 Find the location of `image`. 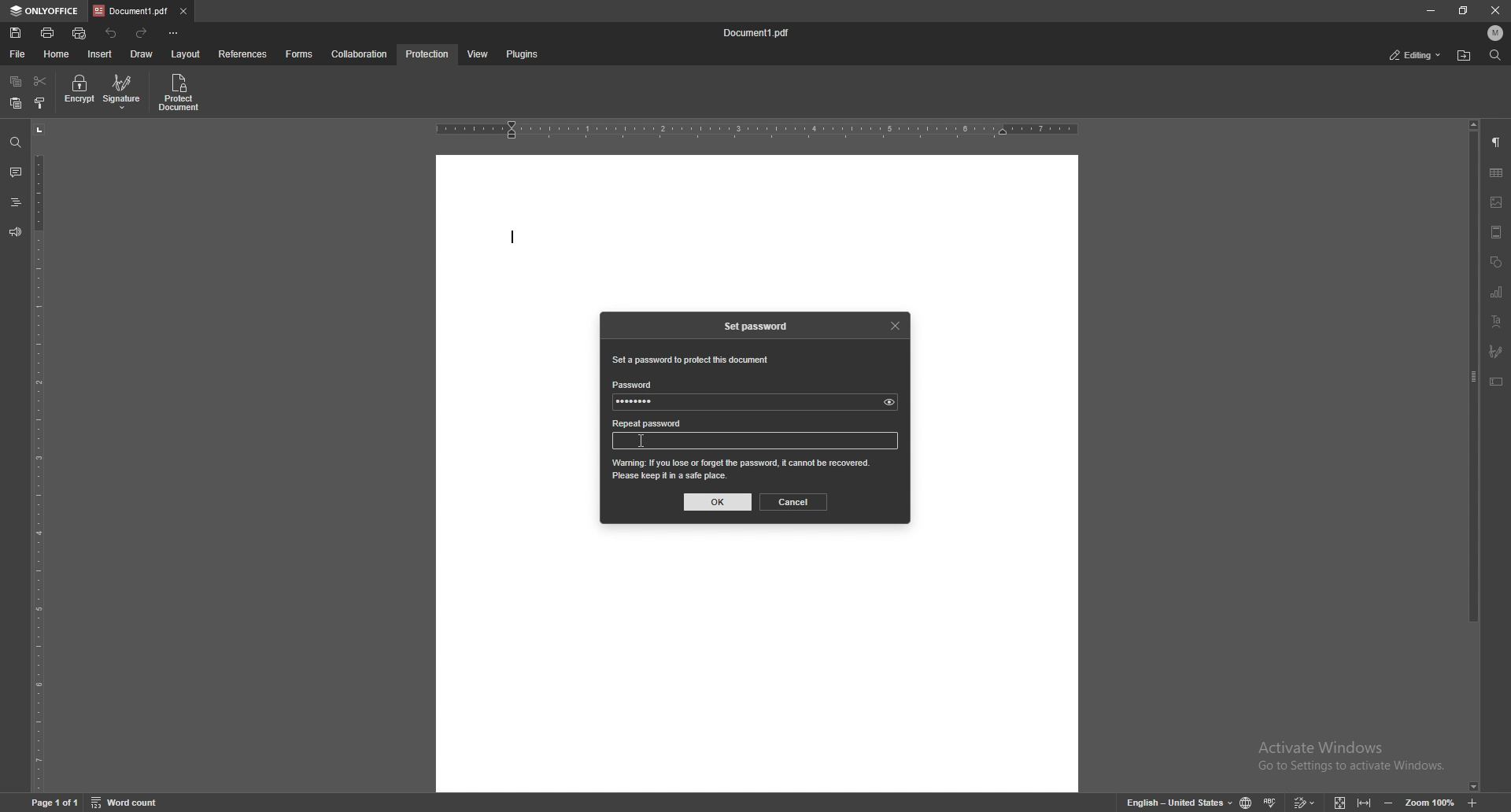

image is located at coordinates (1497, 202).